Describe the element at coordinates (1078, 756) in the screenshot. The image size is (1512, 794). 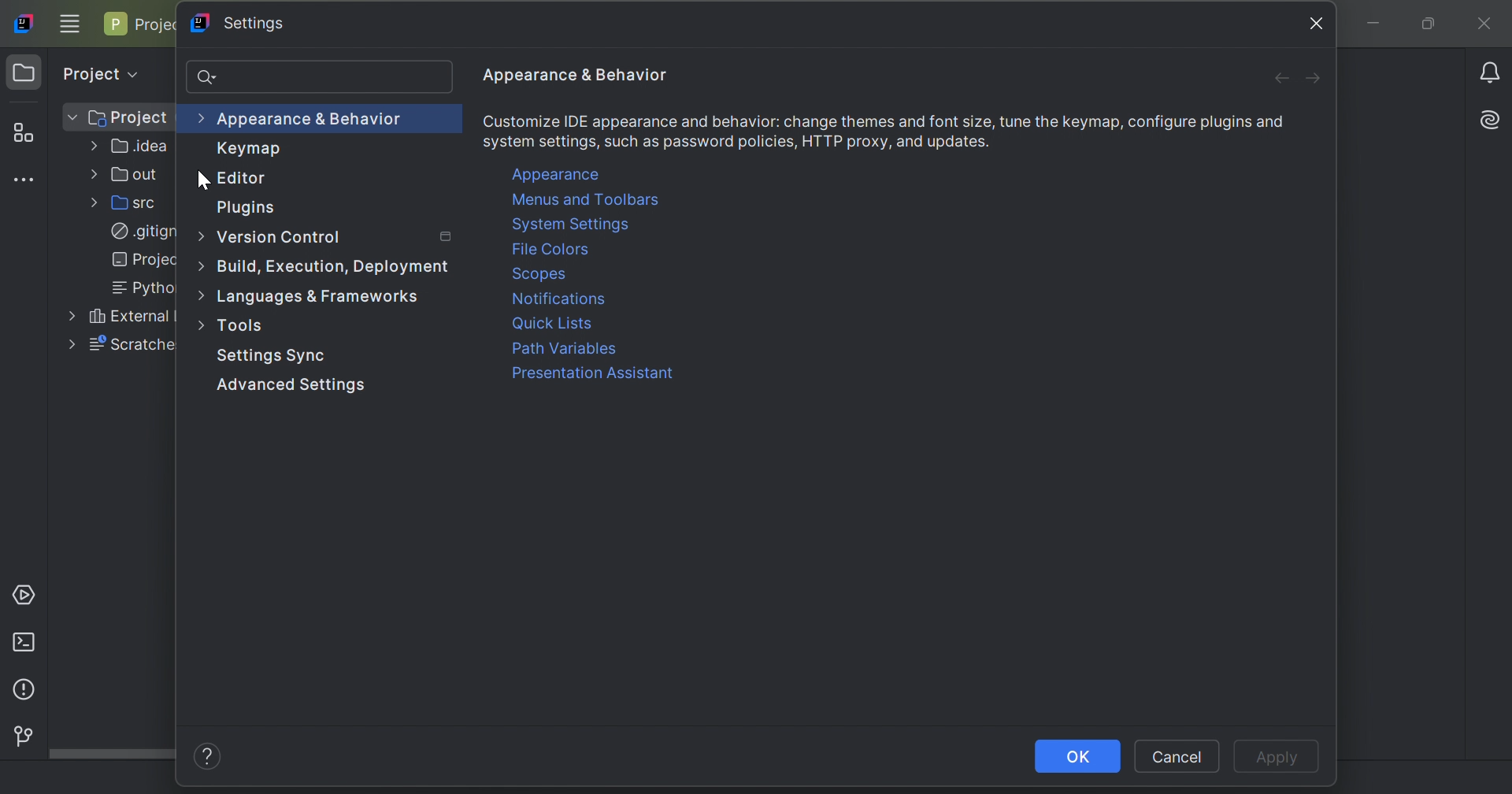
I see `OK` at that location.